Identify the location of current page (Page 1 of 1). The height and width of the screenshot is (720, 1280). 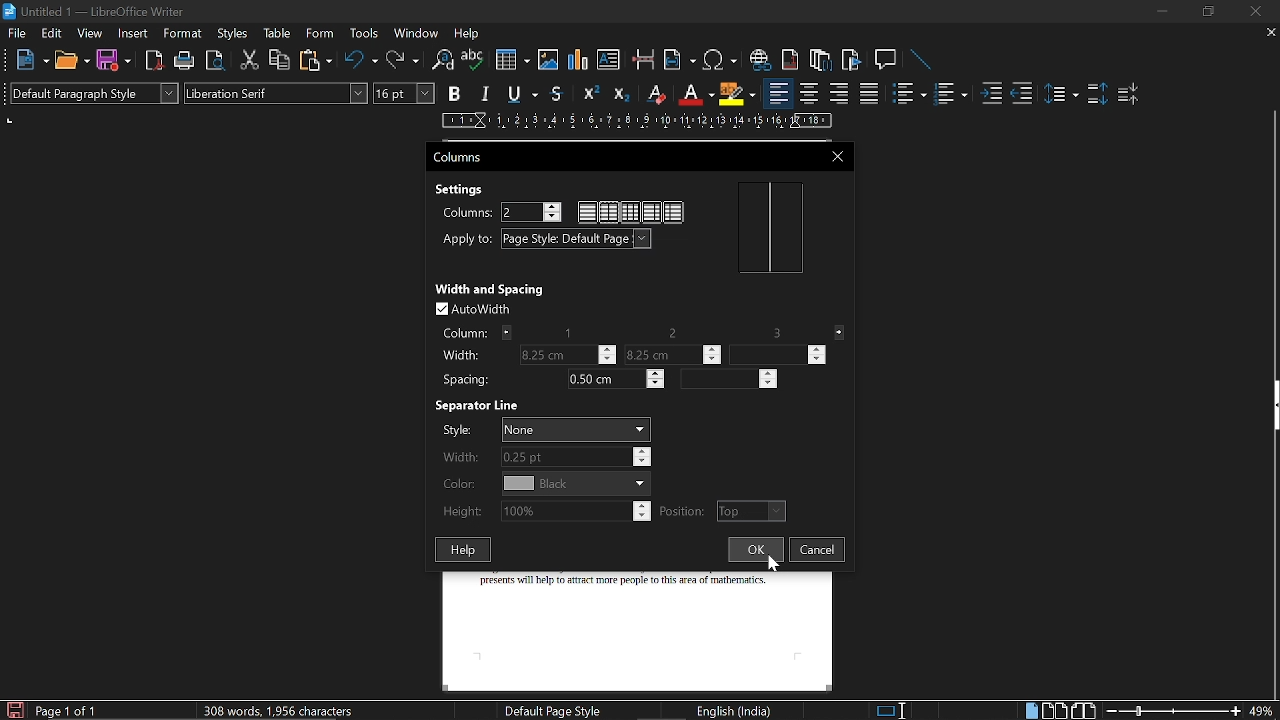
(72, 711).